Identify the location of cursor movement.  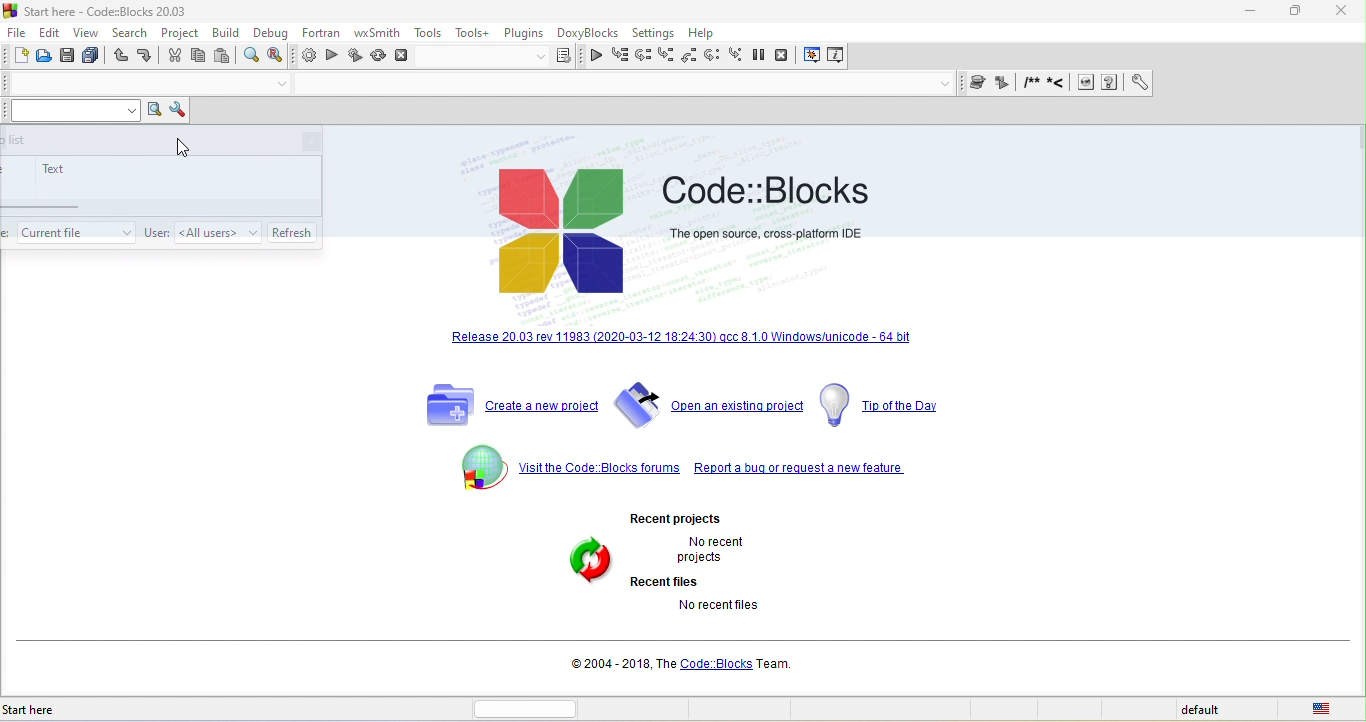
(183, 150).